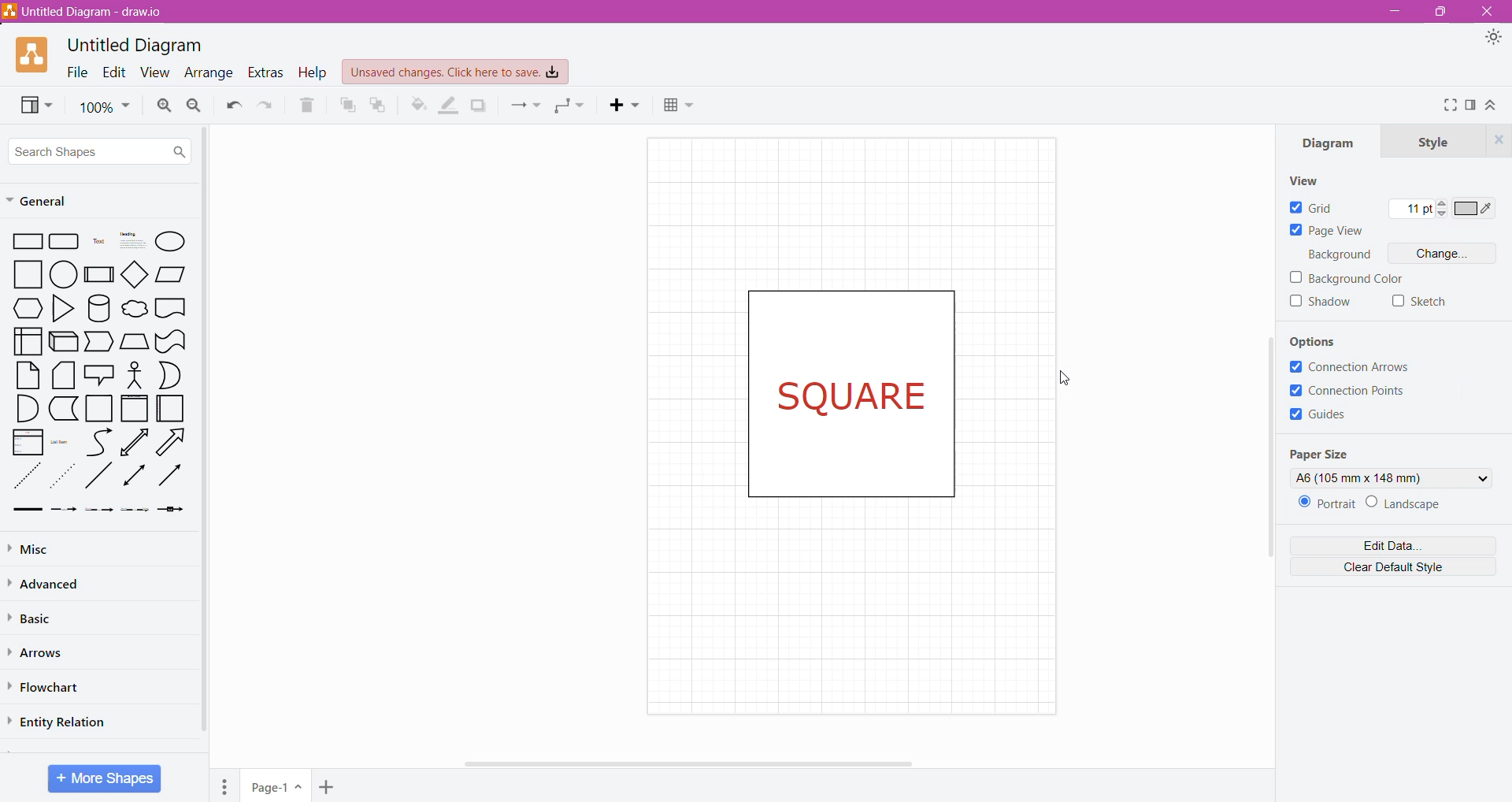 Image resolution: width=1512 pixels, height=802 pixels. Describe the element at coordinates (64, 273) in the screenshot. I see `circle` at that location.